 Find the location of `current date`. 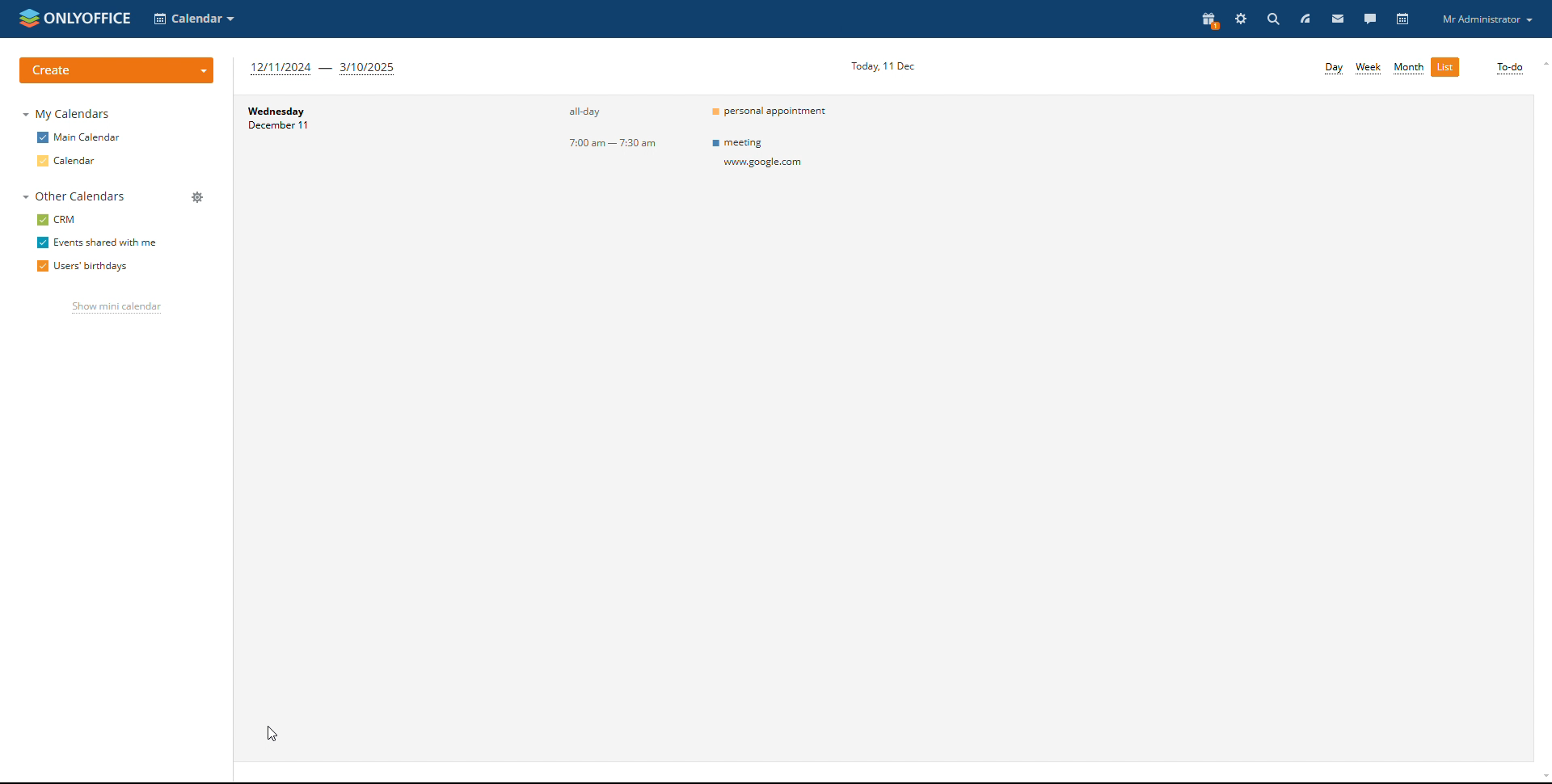

current date is located at coordinates (879, 64).